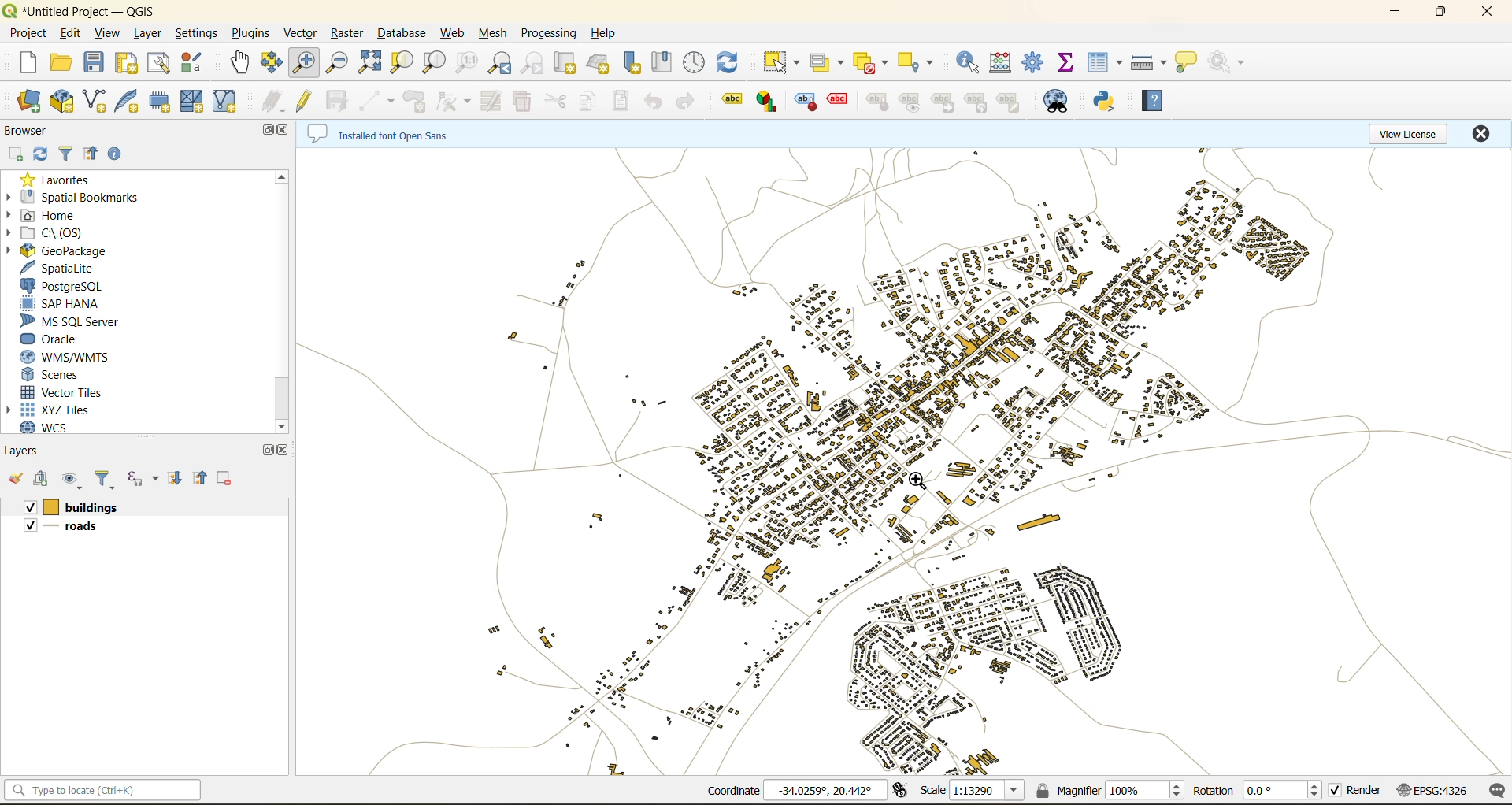 This screenshot has height=805, width=1512. Describe the element at coordinates (269, 131) in the screenshot. I see `maximize` at that location.